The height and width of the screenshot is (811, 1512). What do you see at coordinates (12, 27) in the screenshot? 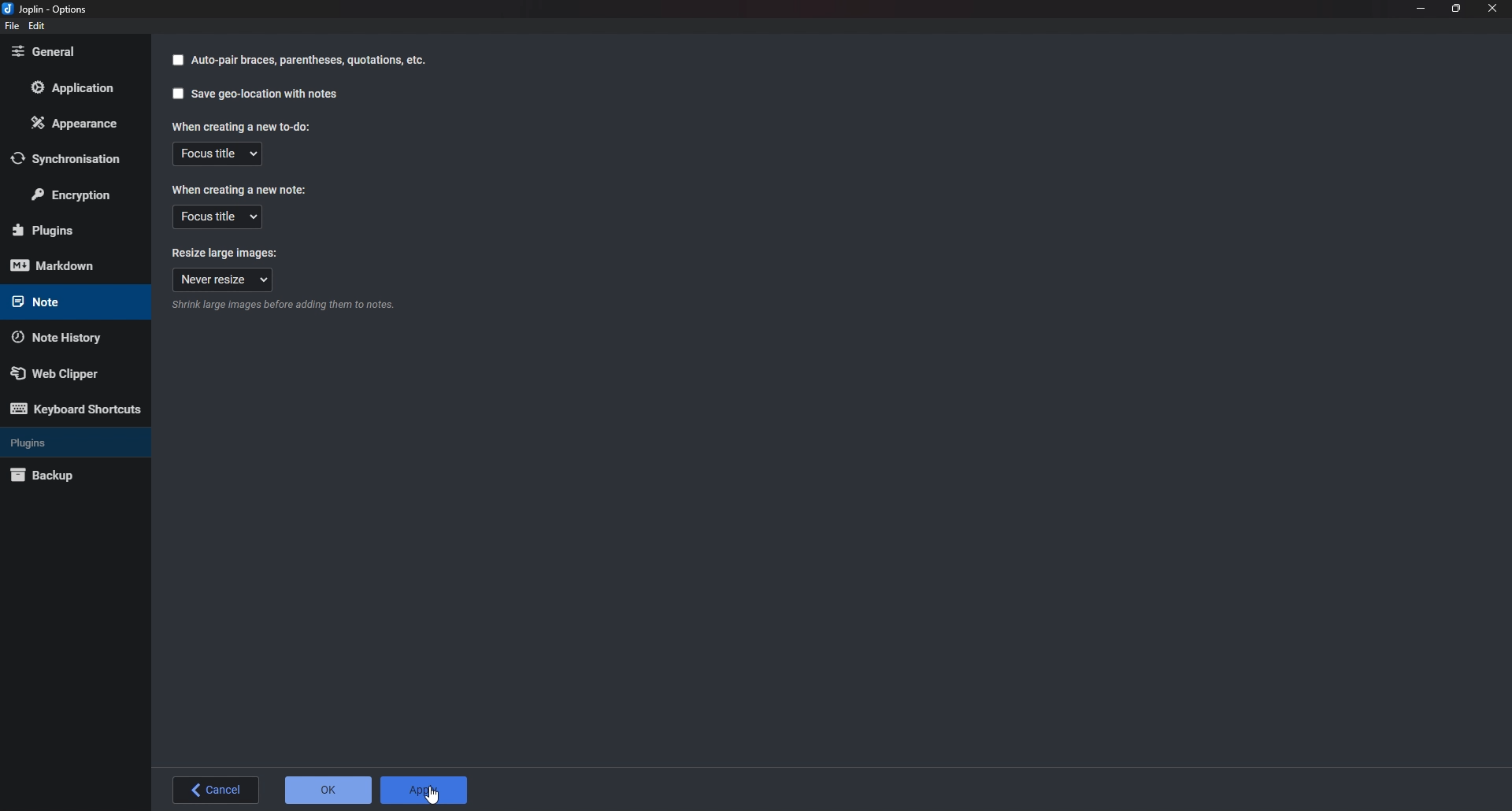
I see `File` at bounding box center [12, 27].